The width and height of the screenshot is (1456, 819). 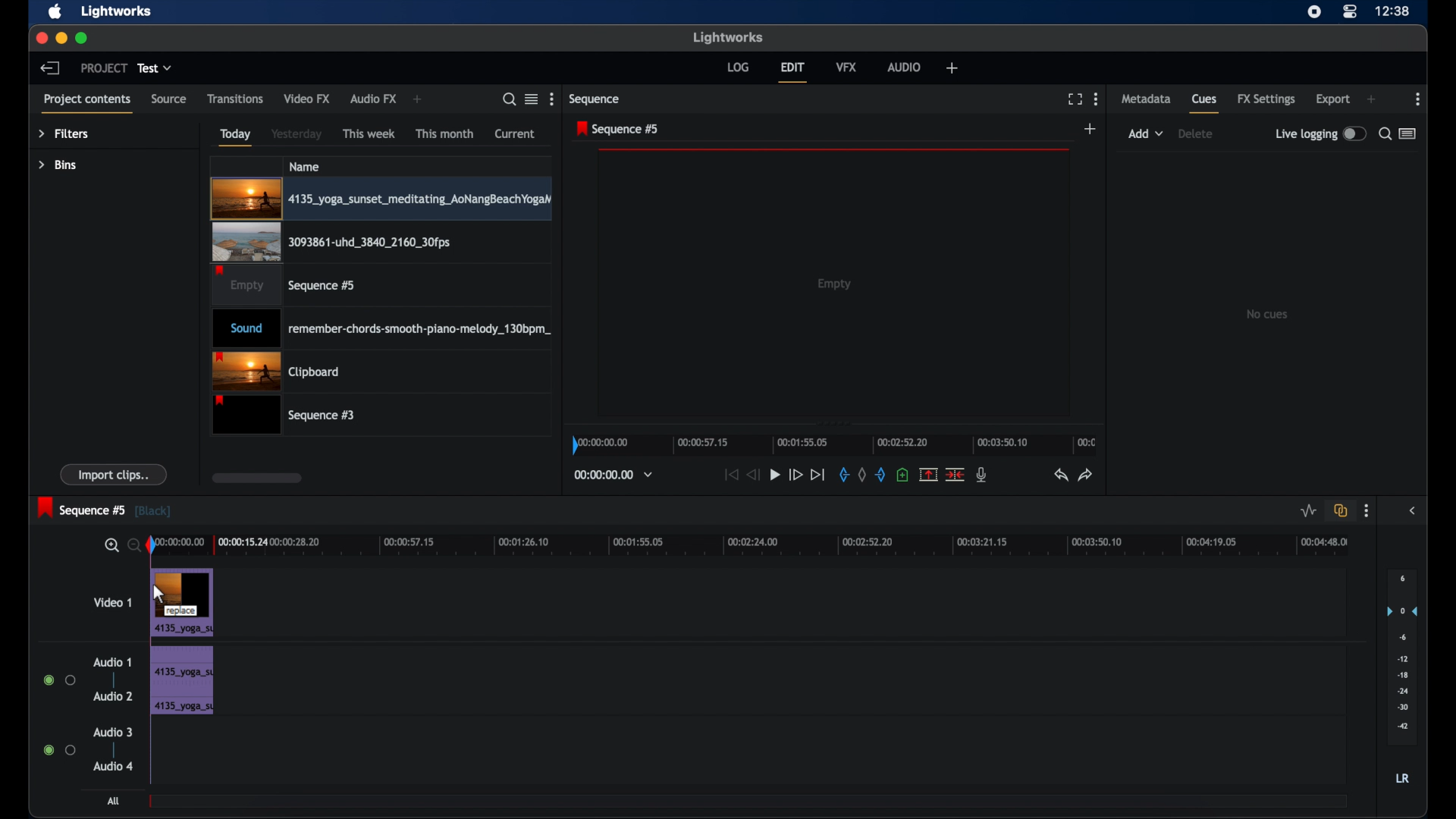 What do you see at coordinates (1403, 778) in the screenshot?
I see `lr` at bounding box center [1403, 778].